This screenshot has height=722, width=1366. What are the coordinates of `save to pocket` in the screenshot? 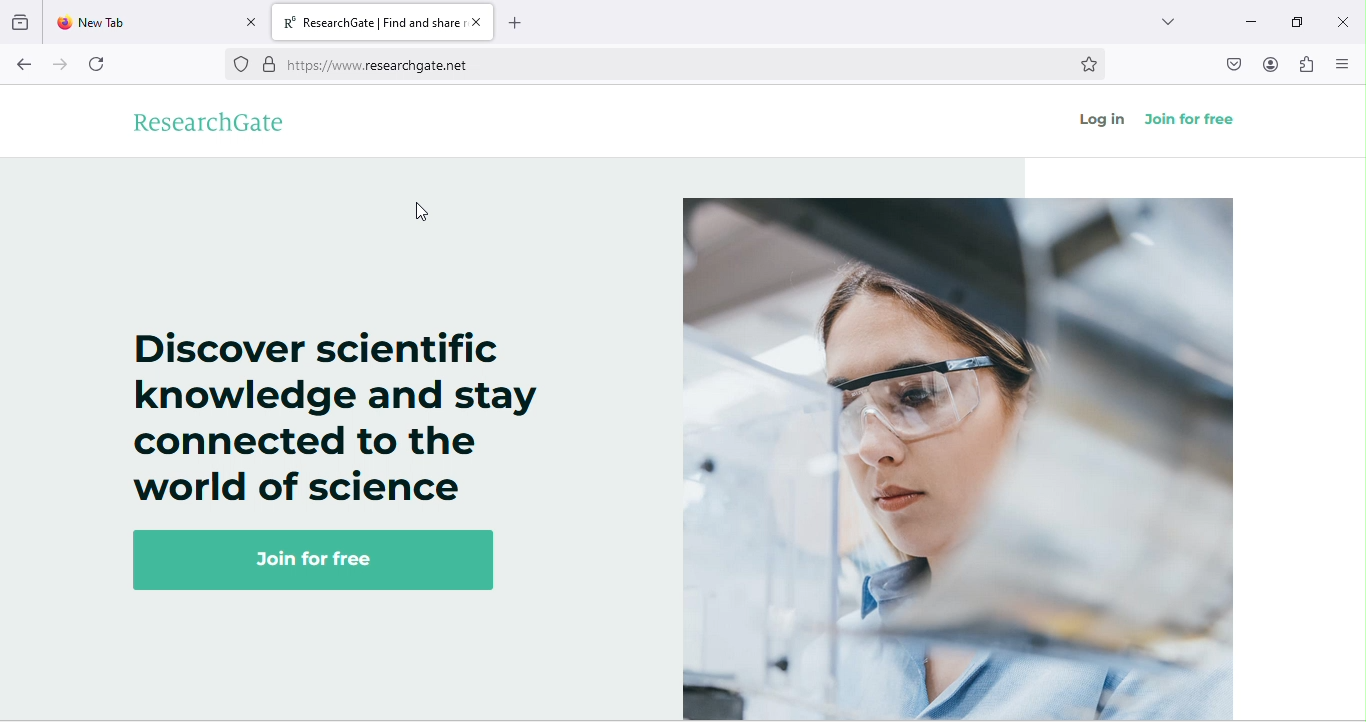 It's located at (1226, 66).